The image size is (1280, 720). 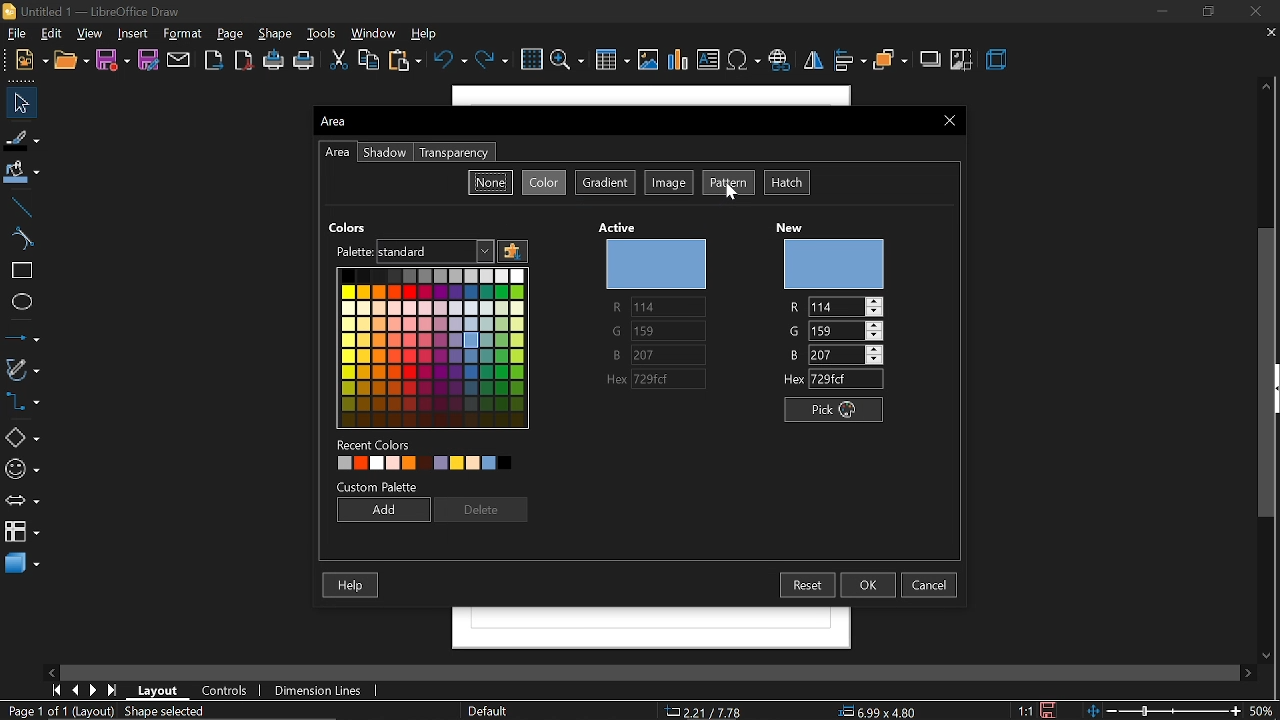 I want to click on reset, so click(x=806, y=584).